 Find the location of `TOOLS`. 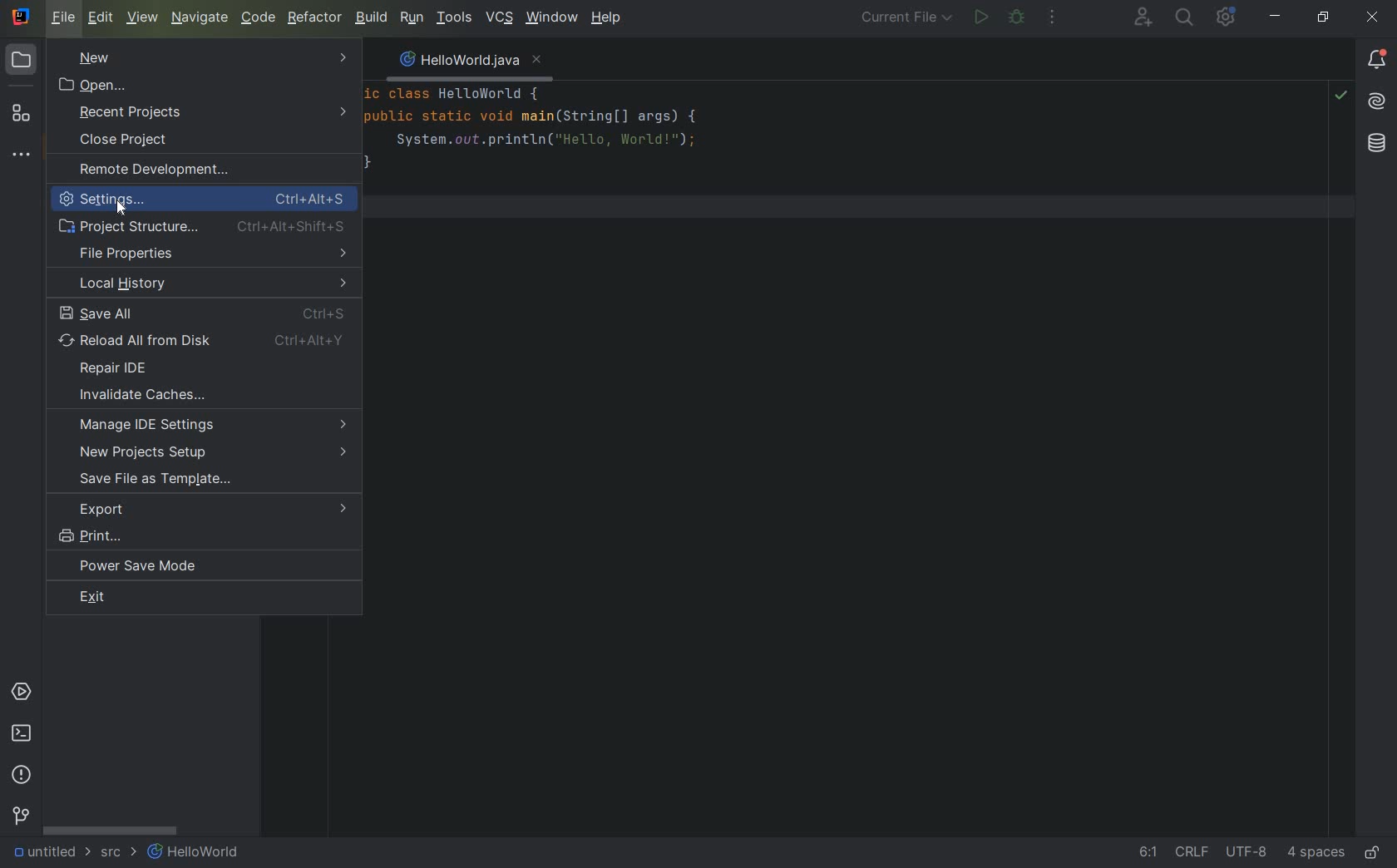

TOOLS is located at coordinates (454, 18).